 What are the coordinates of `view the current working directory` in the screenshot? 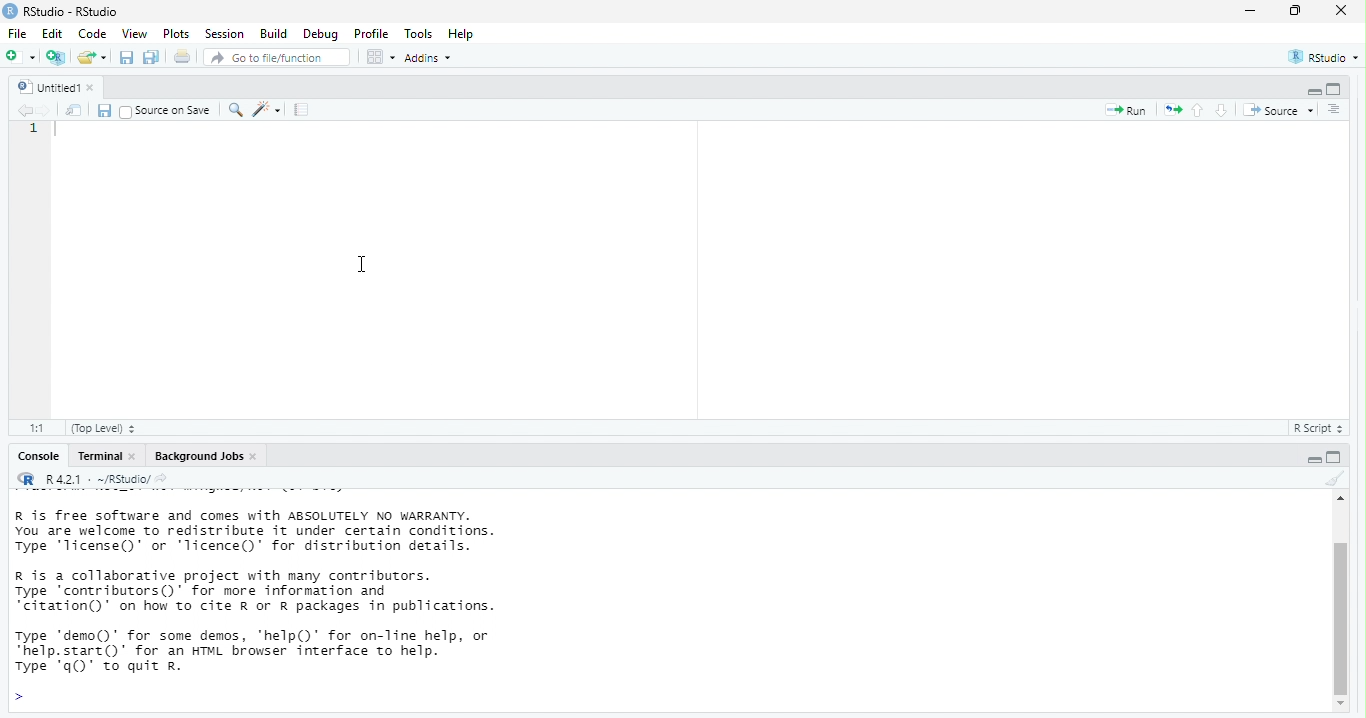 It's located at (171, 479).